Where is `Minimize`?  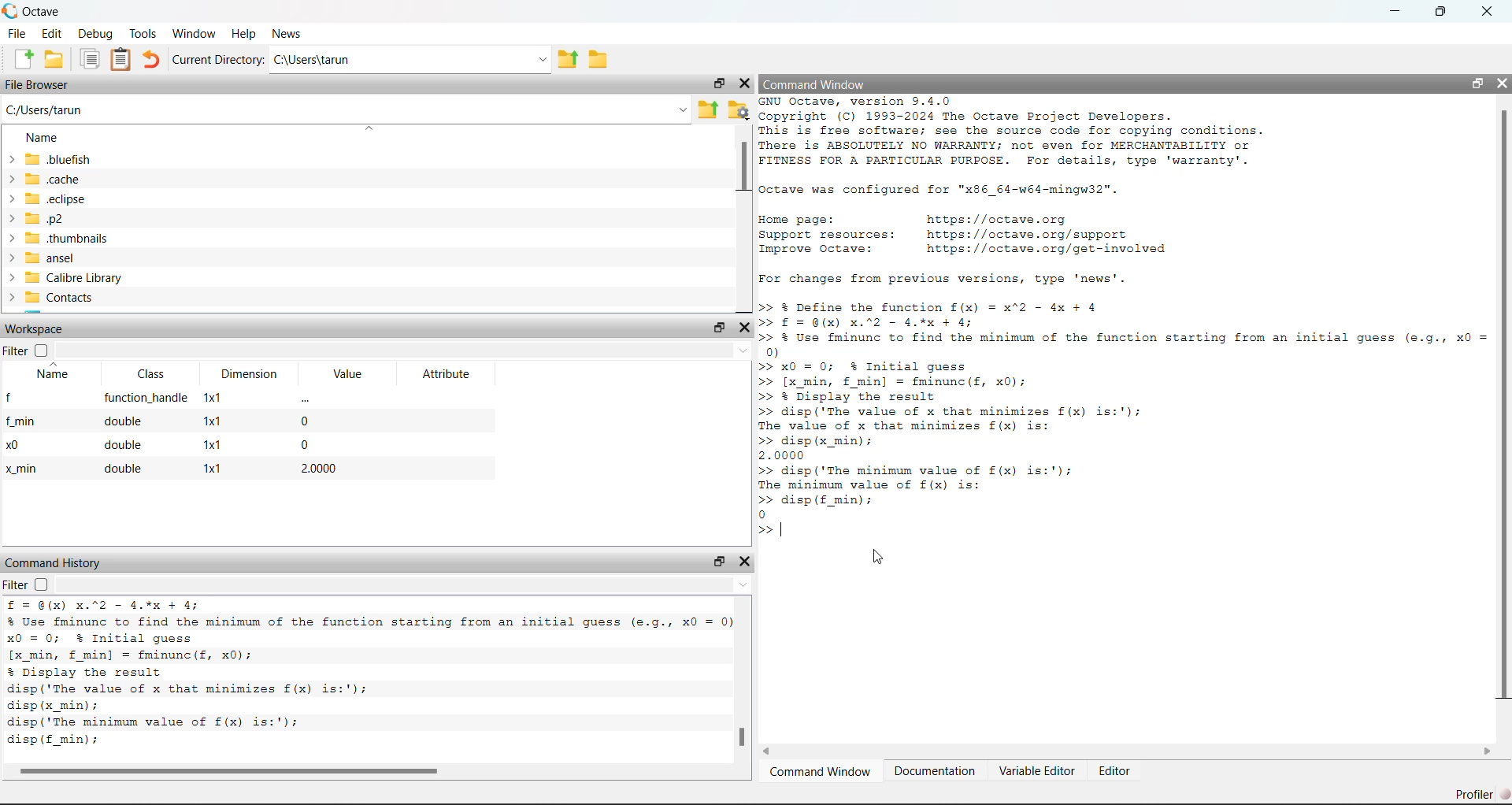 Minimize is located at coordinates (1393, 12).